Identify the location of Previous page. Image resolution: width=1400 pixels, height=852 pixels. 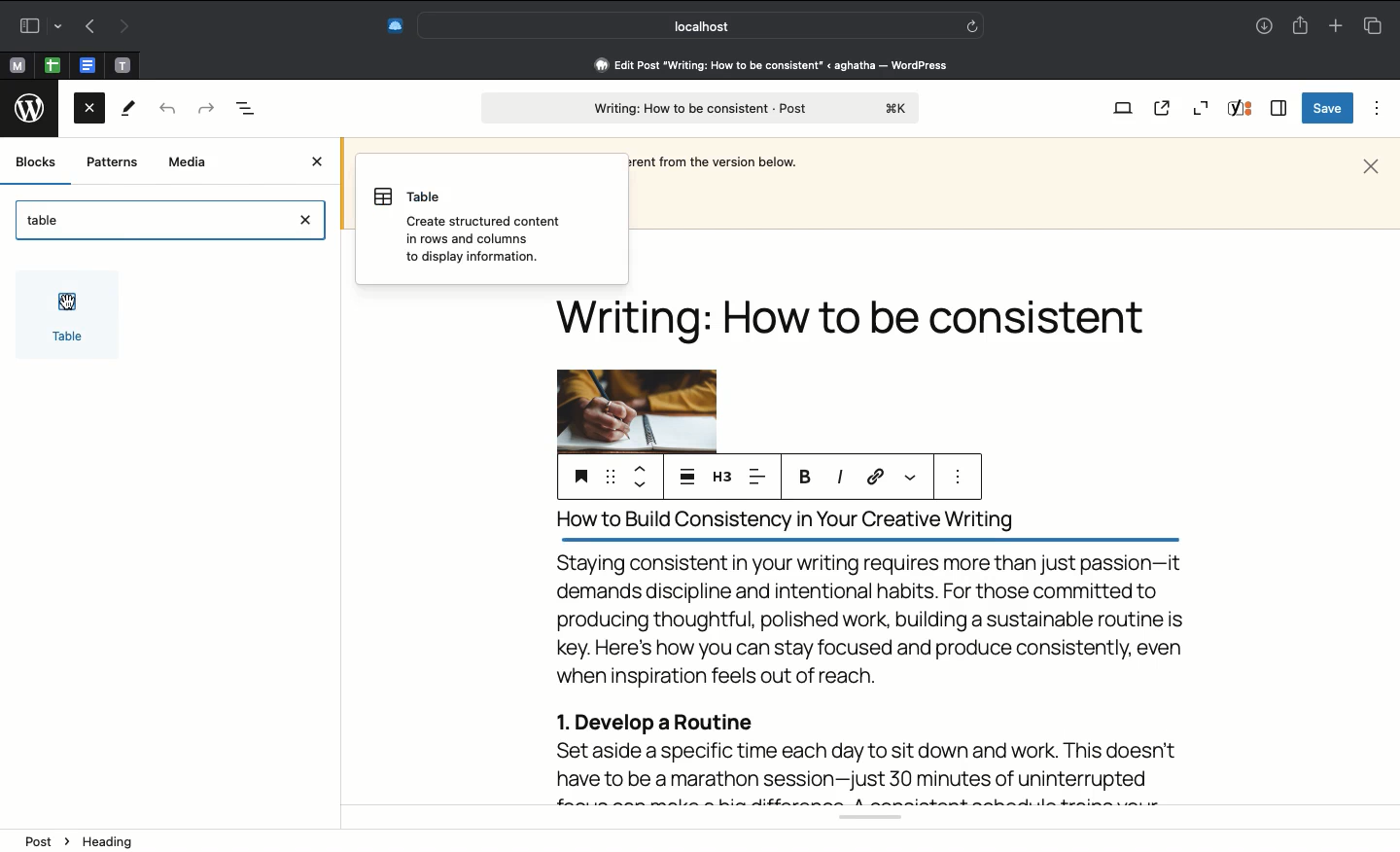
(87, 28).